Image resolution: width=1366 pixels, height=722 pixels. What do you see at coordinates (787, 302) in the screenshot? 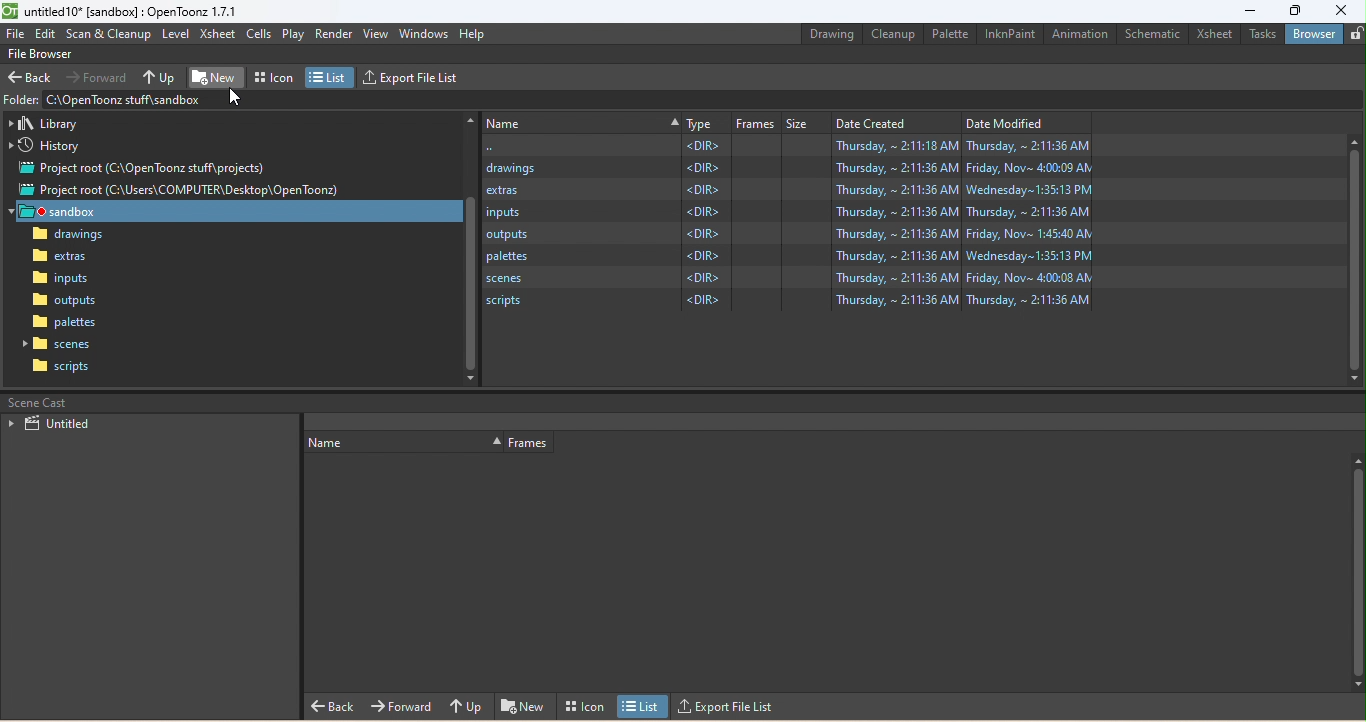
I see `scripts` at bounding box center [787, 302].